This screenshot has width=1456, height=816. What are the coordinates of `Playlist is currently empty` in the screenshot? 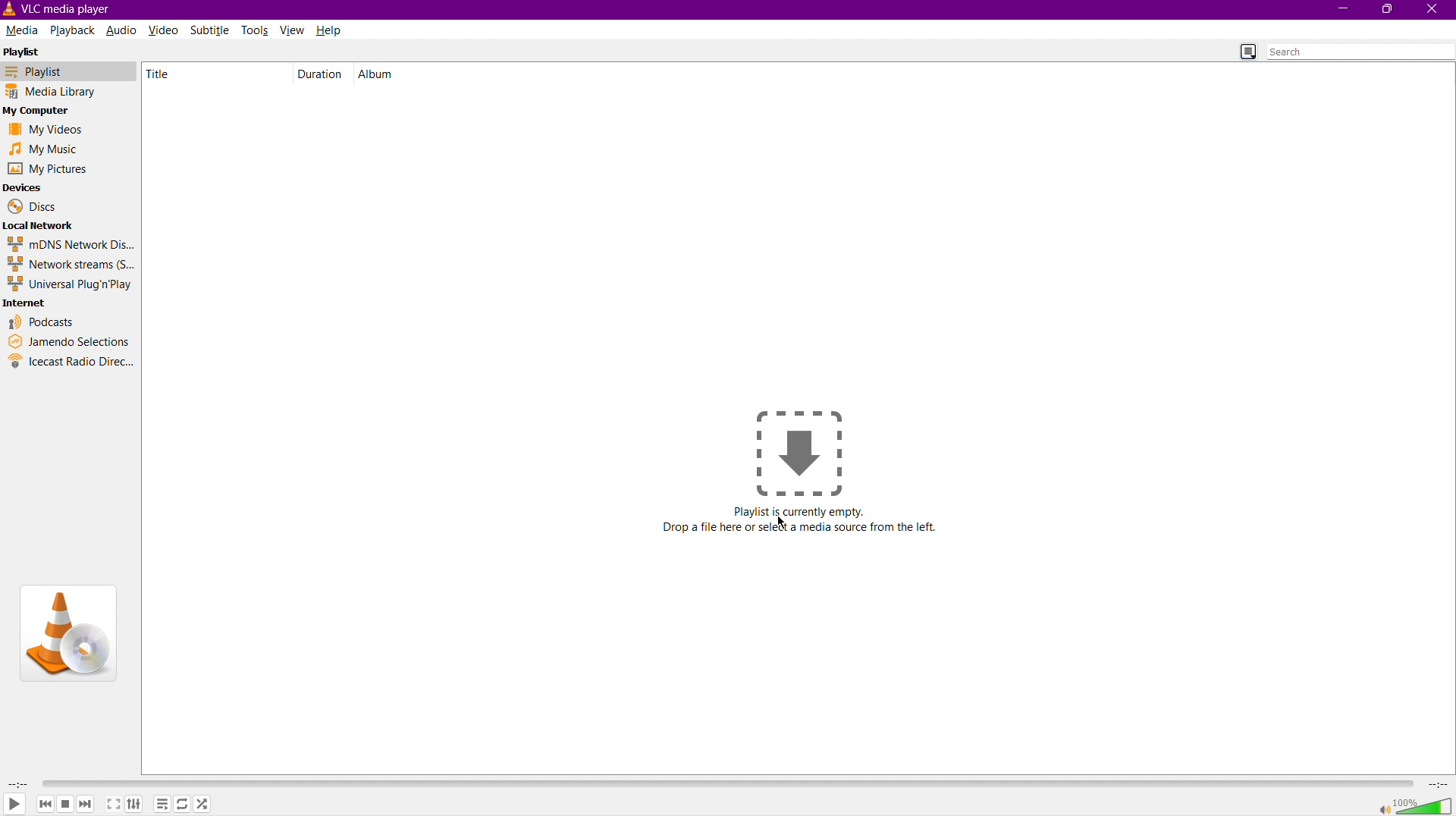 It's located at (802, 514).